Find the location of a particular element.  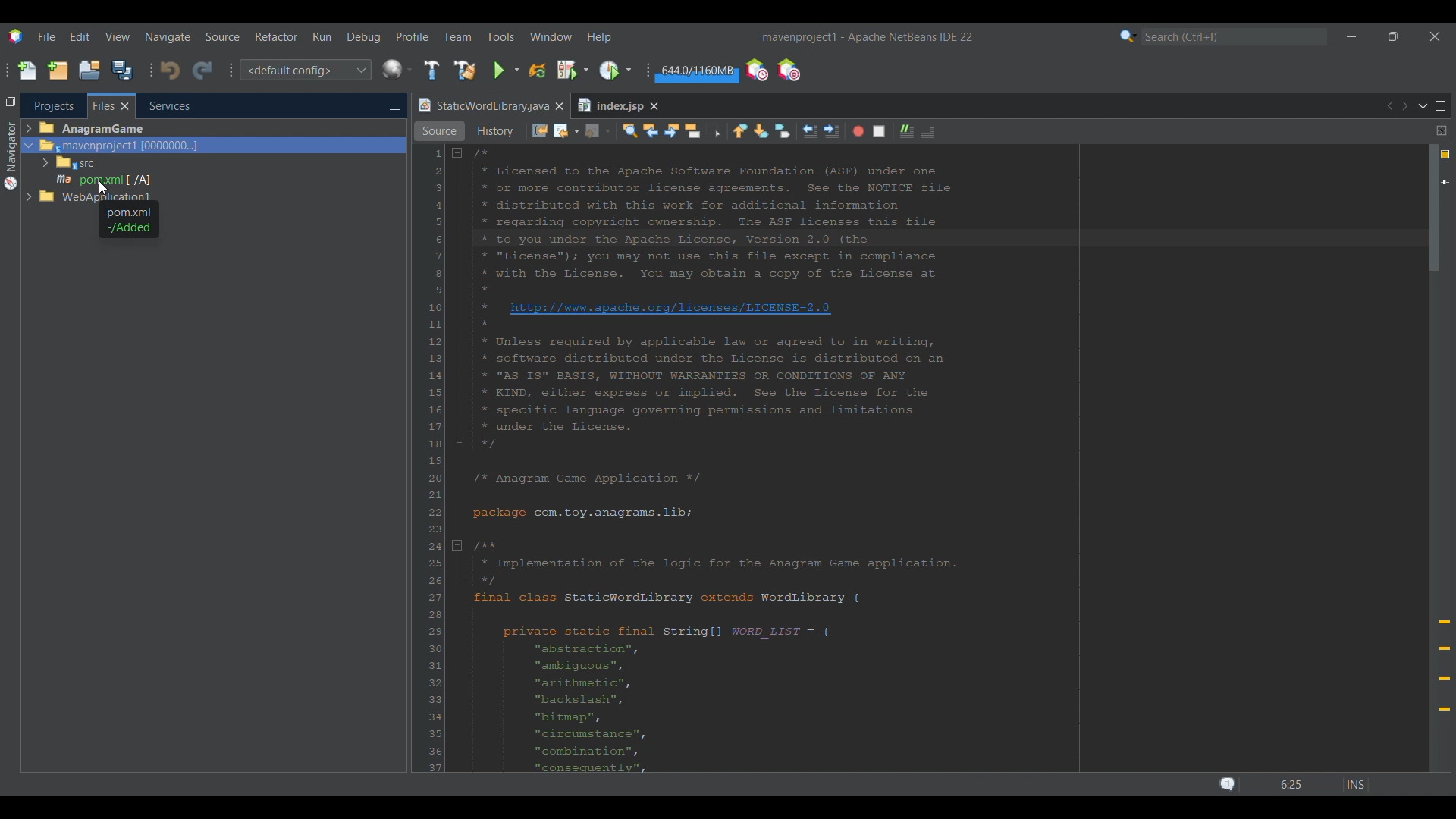

New file is located at coordinates (27, 71).